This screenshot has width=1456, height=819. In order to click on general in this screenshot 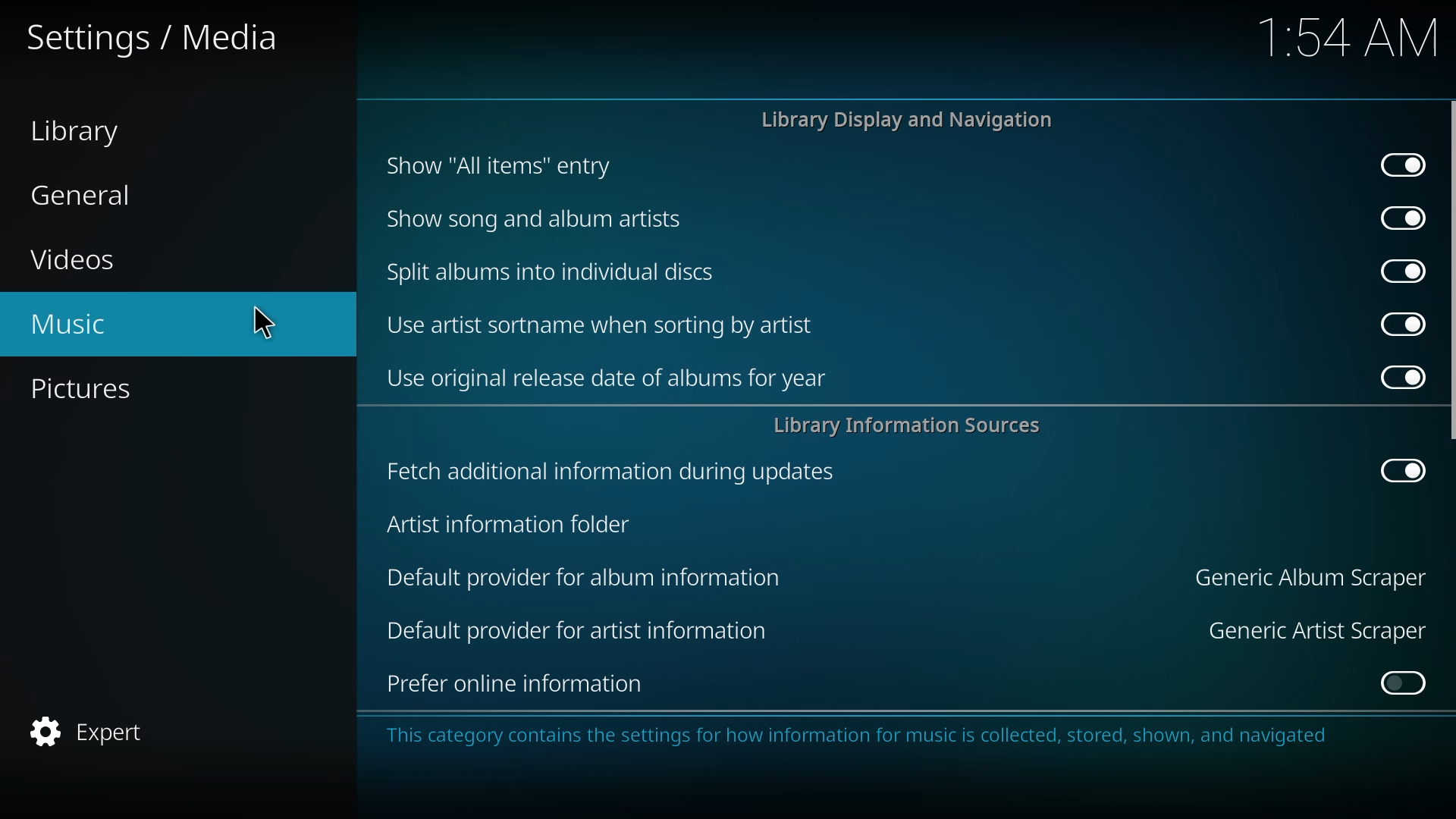, I will do `click(94, 196)`.